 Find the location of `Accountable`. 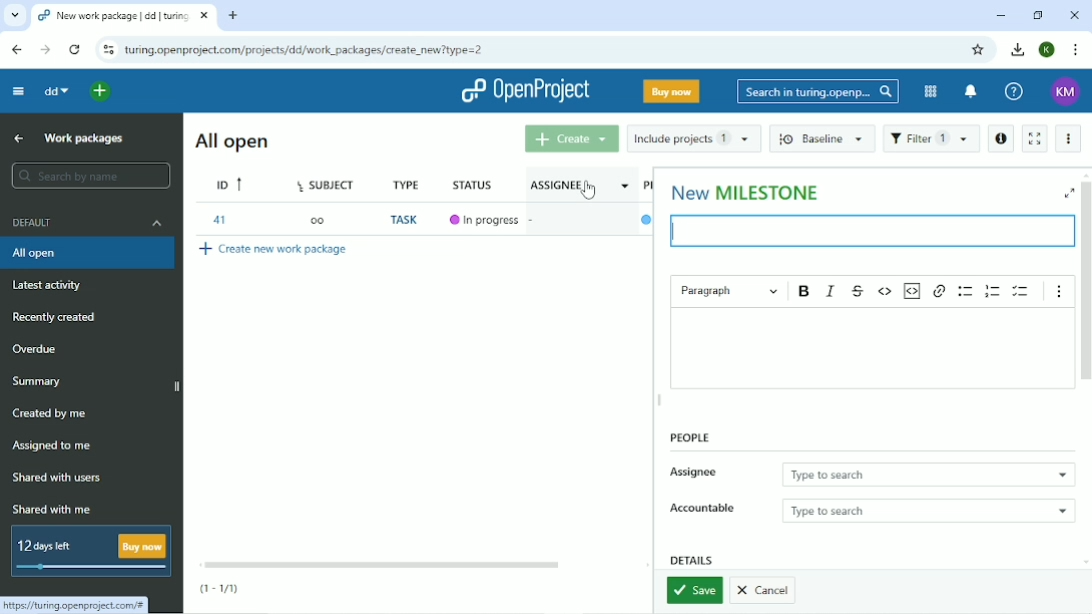

Accountable is located at coordinates (871, 510).